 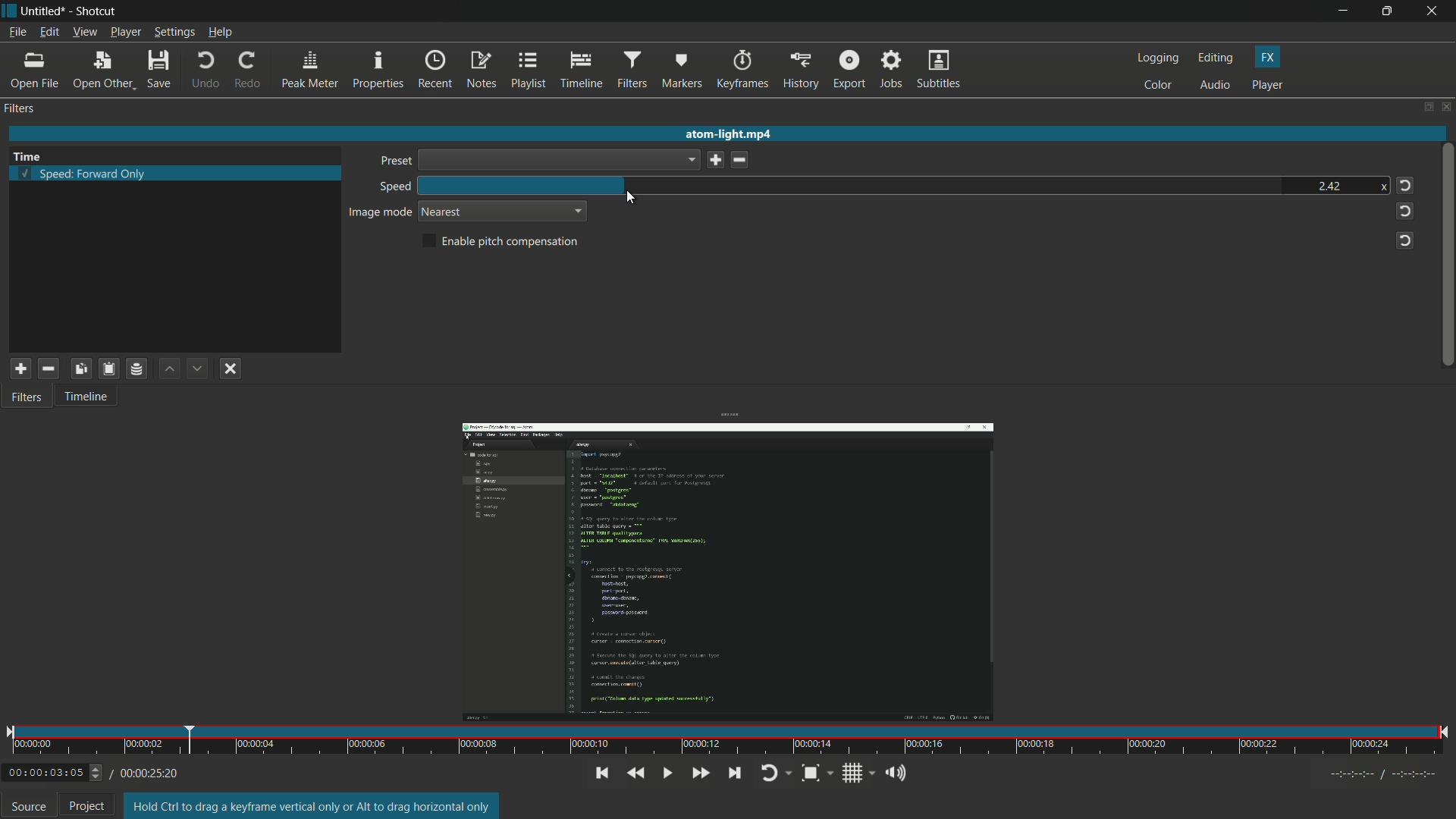 I want to click on show volume  control, so click(x=895, y=774).